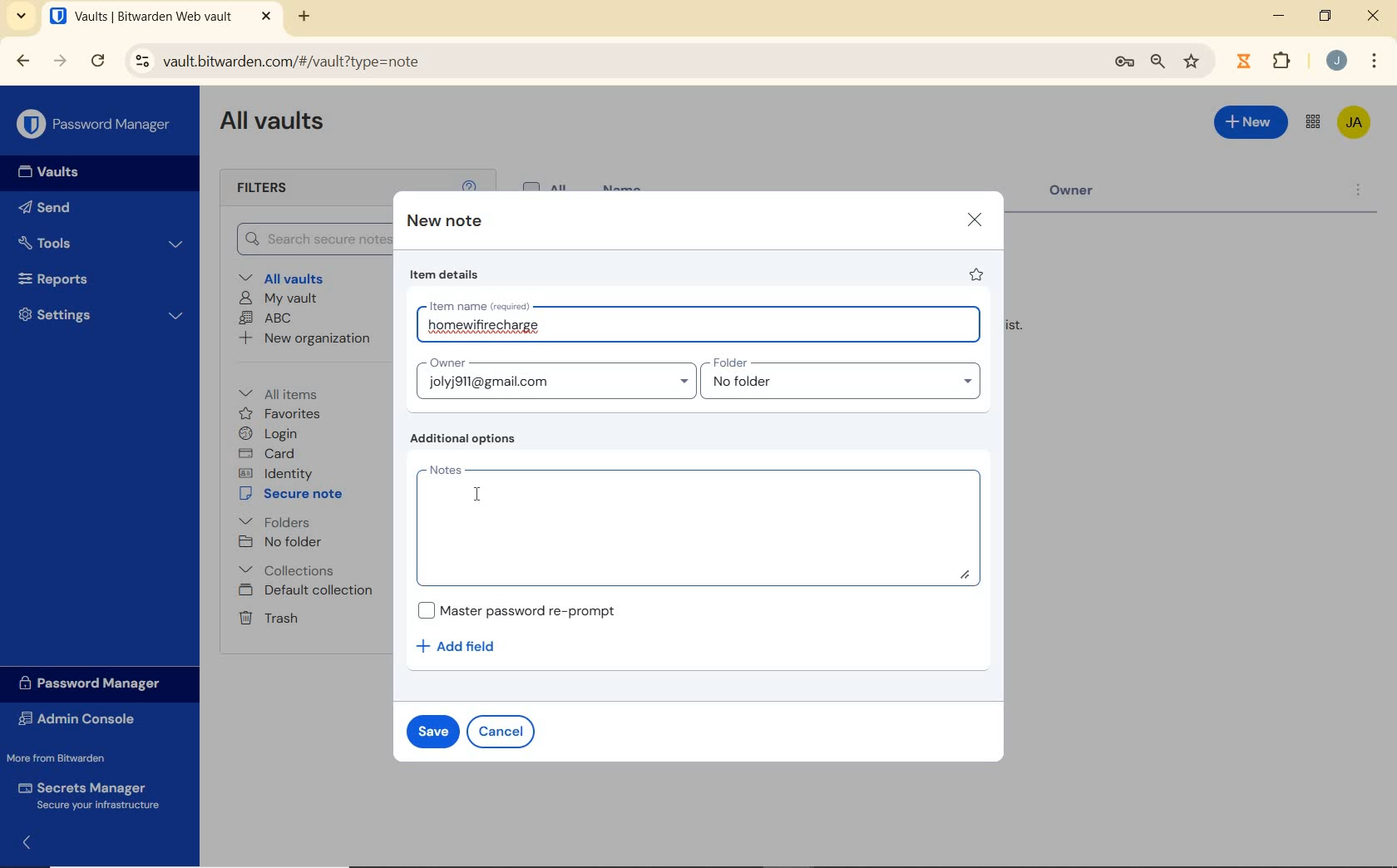 The height and width of the screenshot is (868, 1397). What do you see at coordinates (306, 338) in the screenshot?
I see `New organization` at bounding box center [306, 338].